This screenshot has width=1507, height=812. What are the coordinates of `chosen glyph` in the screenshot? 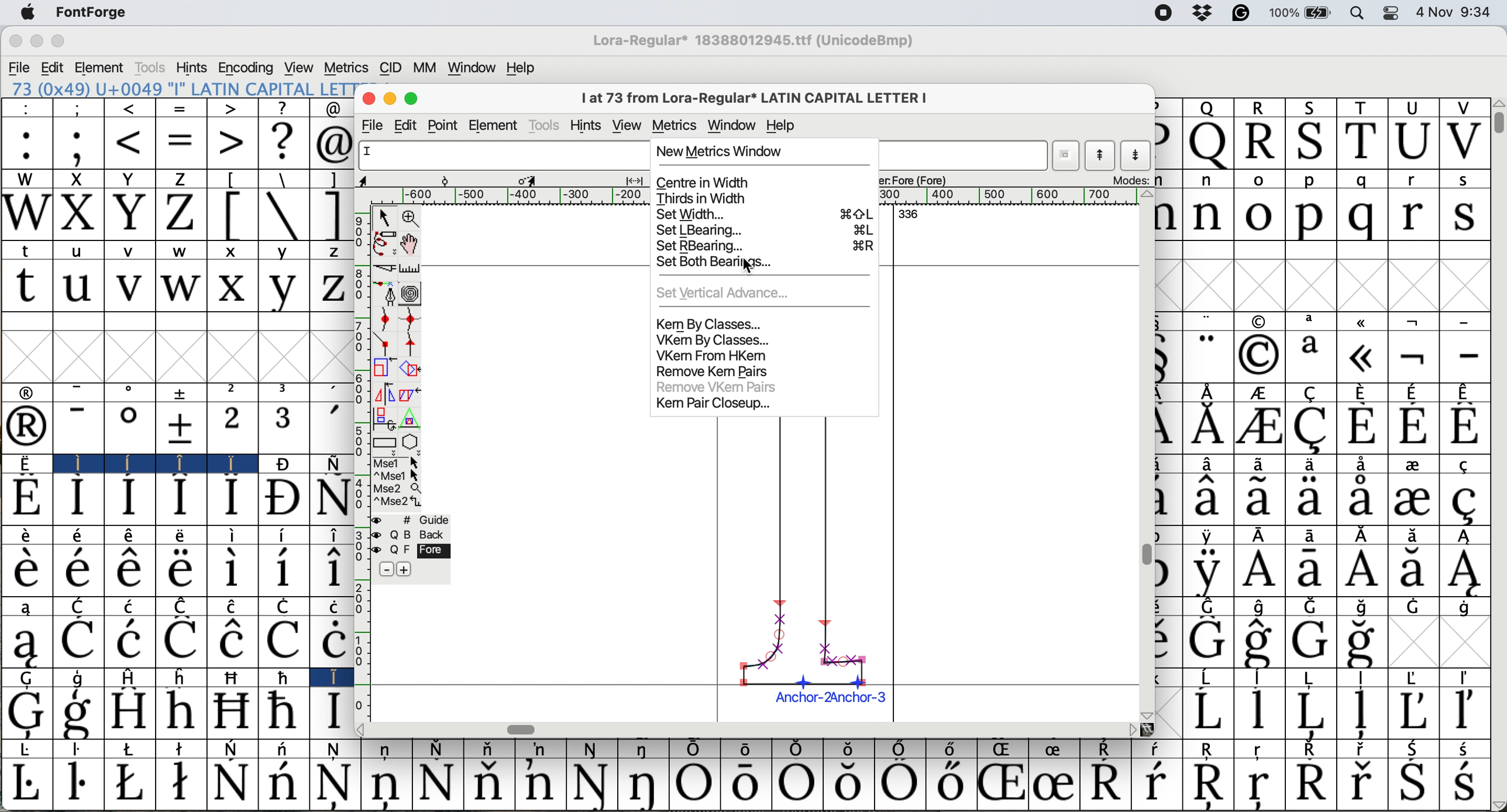 It's located at (810, 564).